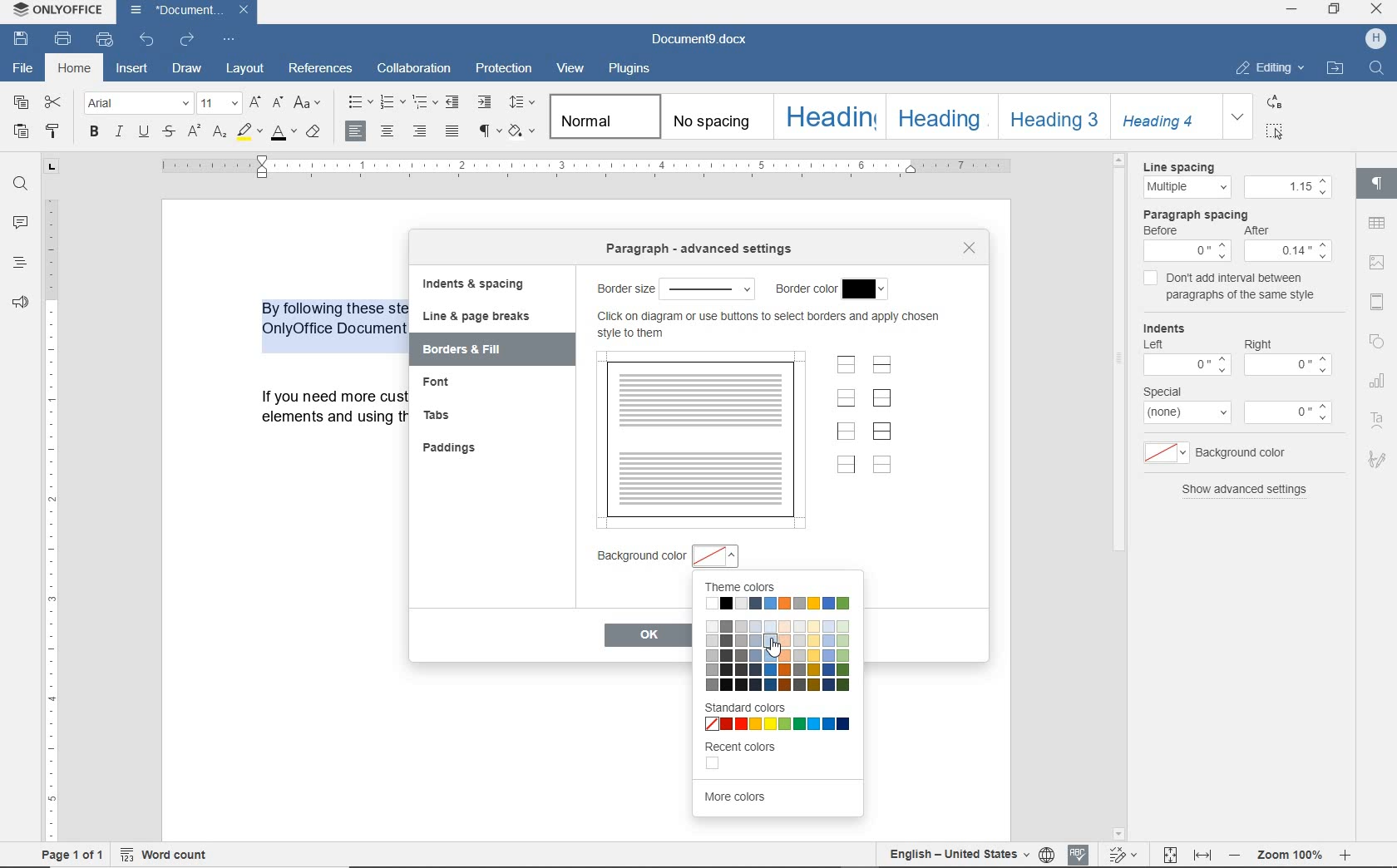 The width and height of the screenshot is (1397, 868). Describe the element at coordinates (882, 364) in the screenshot. I see `set horizontal inner lines only` at that location.